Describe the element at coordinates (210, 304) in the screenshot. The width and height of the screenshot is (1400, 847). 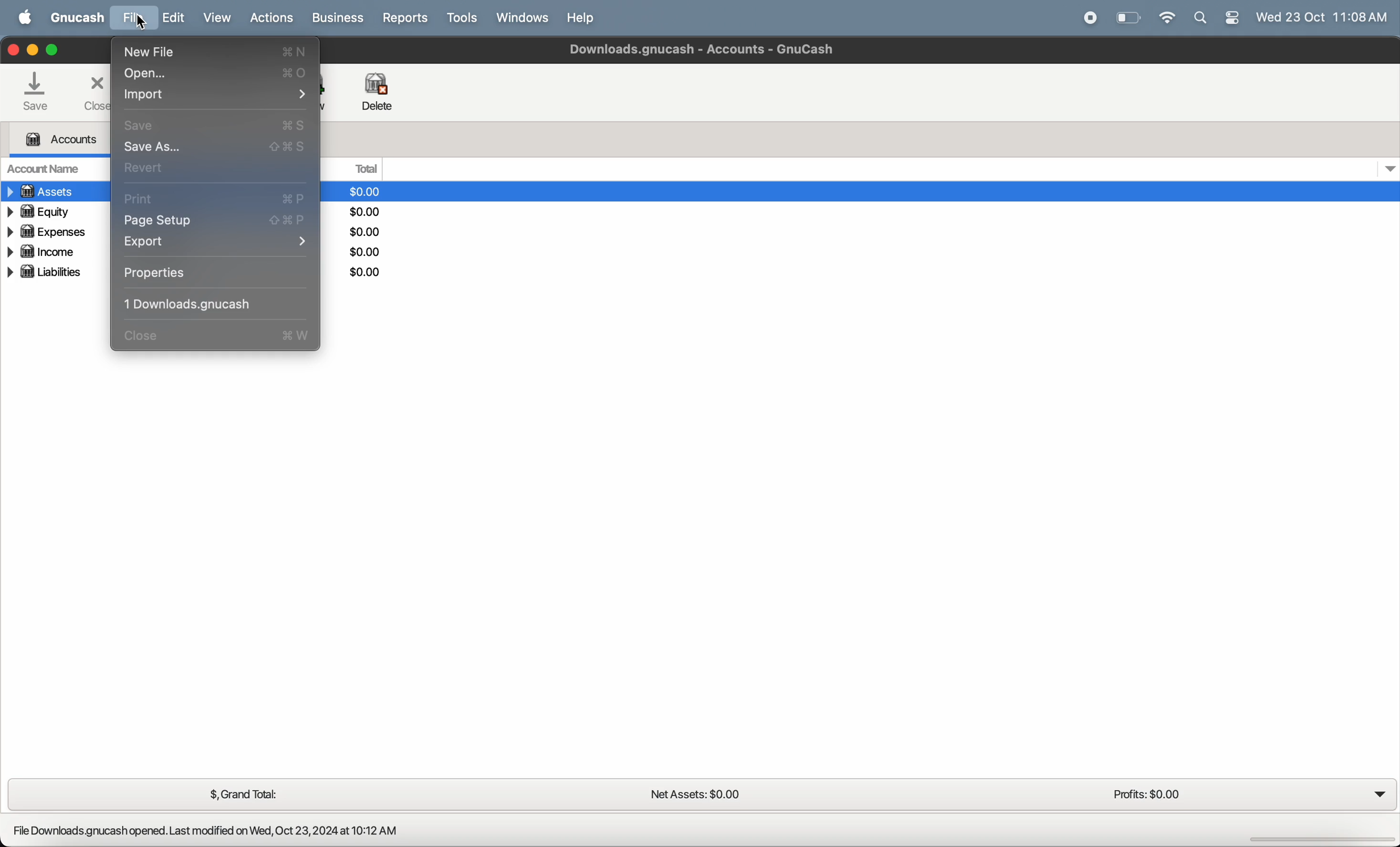
I see `1 downloading cash` at that location.